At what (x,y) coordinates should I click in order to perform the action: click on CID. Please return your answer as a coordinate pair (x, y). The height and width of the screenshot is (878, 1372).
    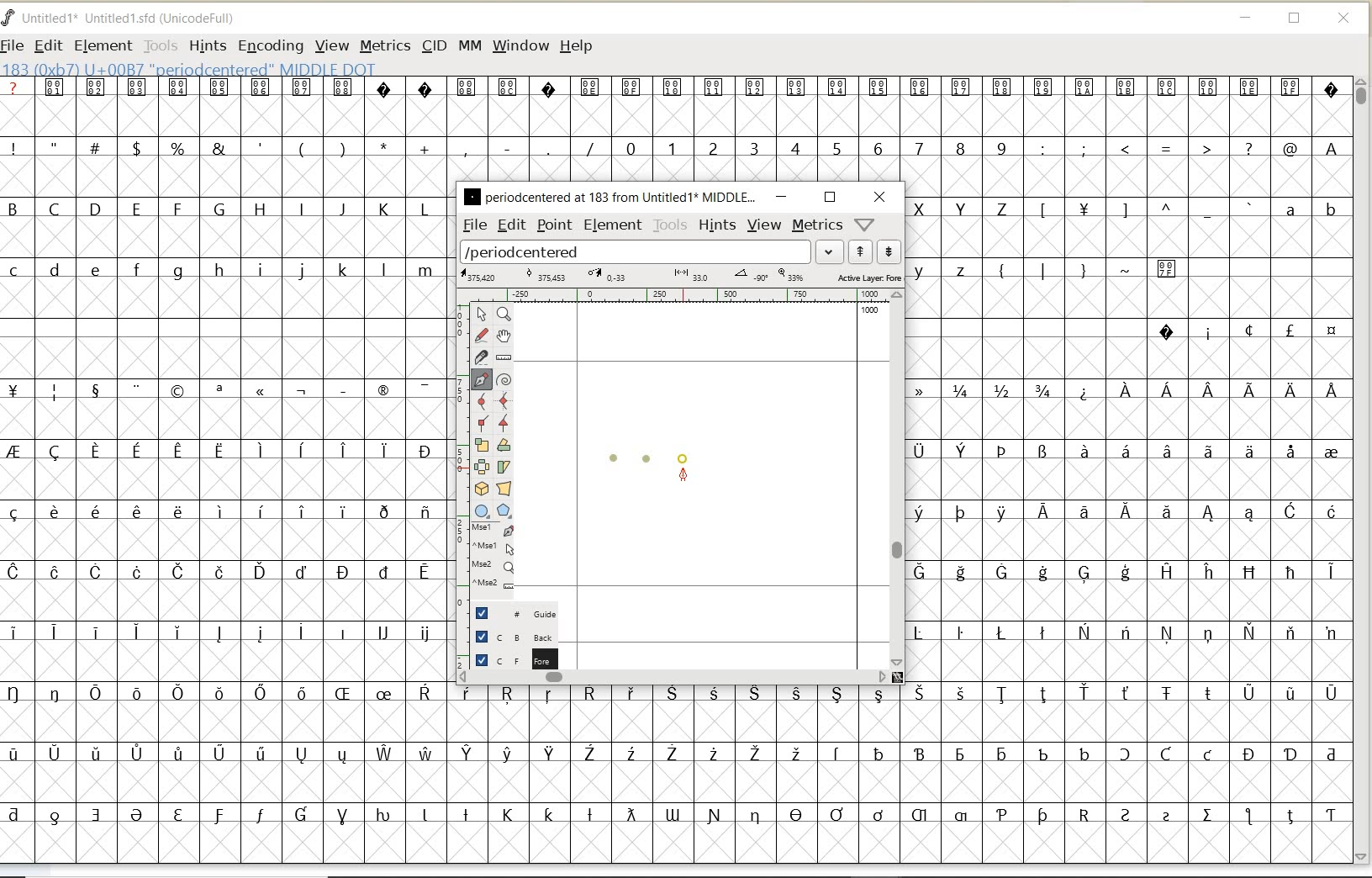
    Looking at the image, I should click on (434, 48).